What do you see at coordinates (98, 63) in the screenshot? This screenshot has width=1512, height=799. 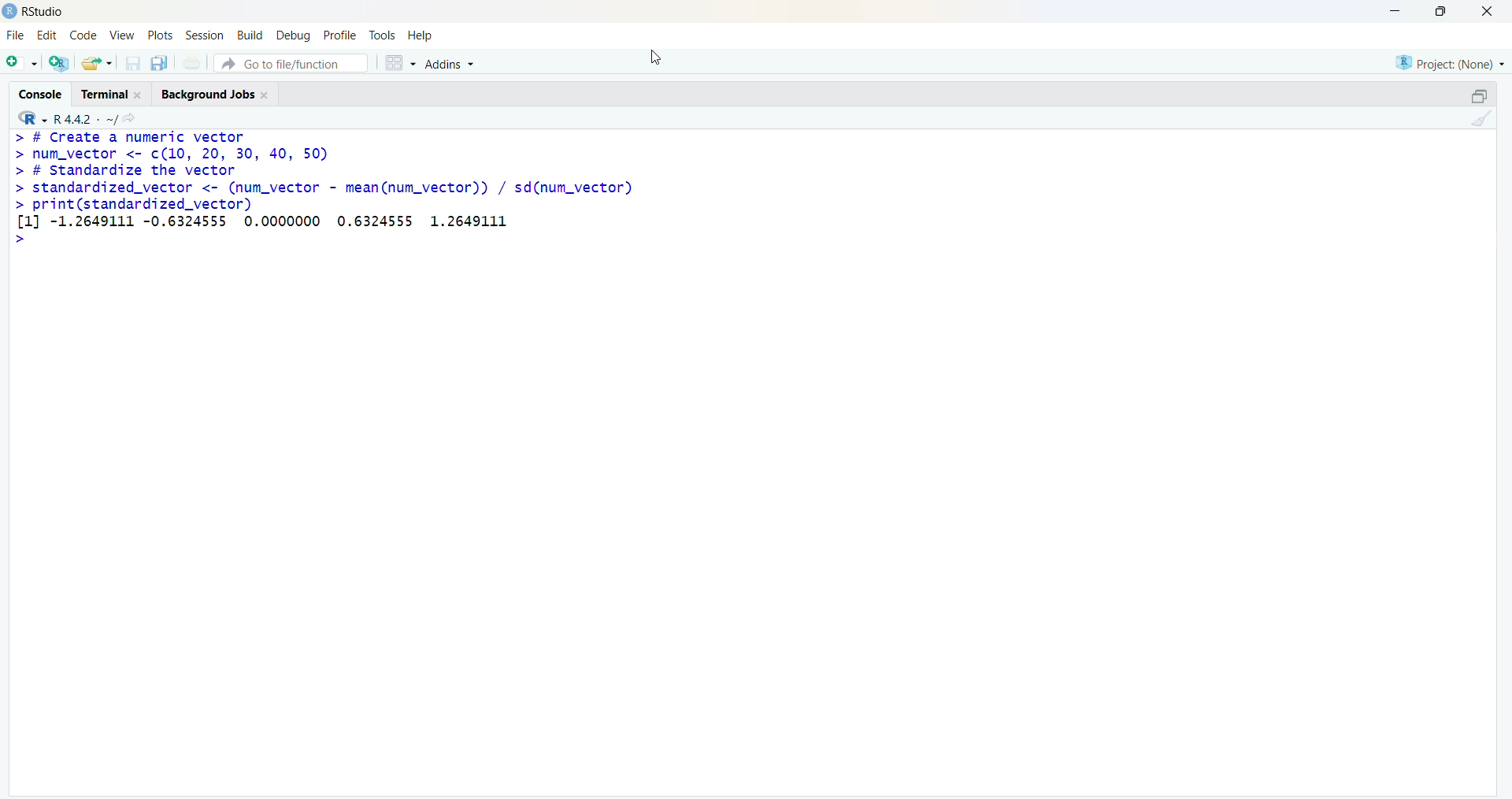 I see `share folder as` at bounding box center [98, 63].